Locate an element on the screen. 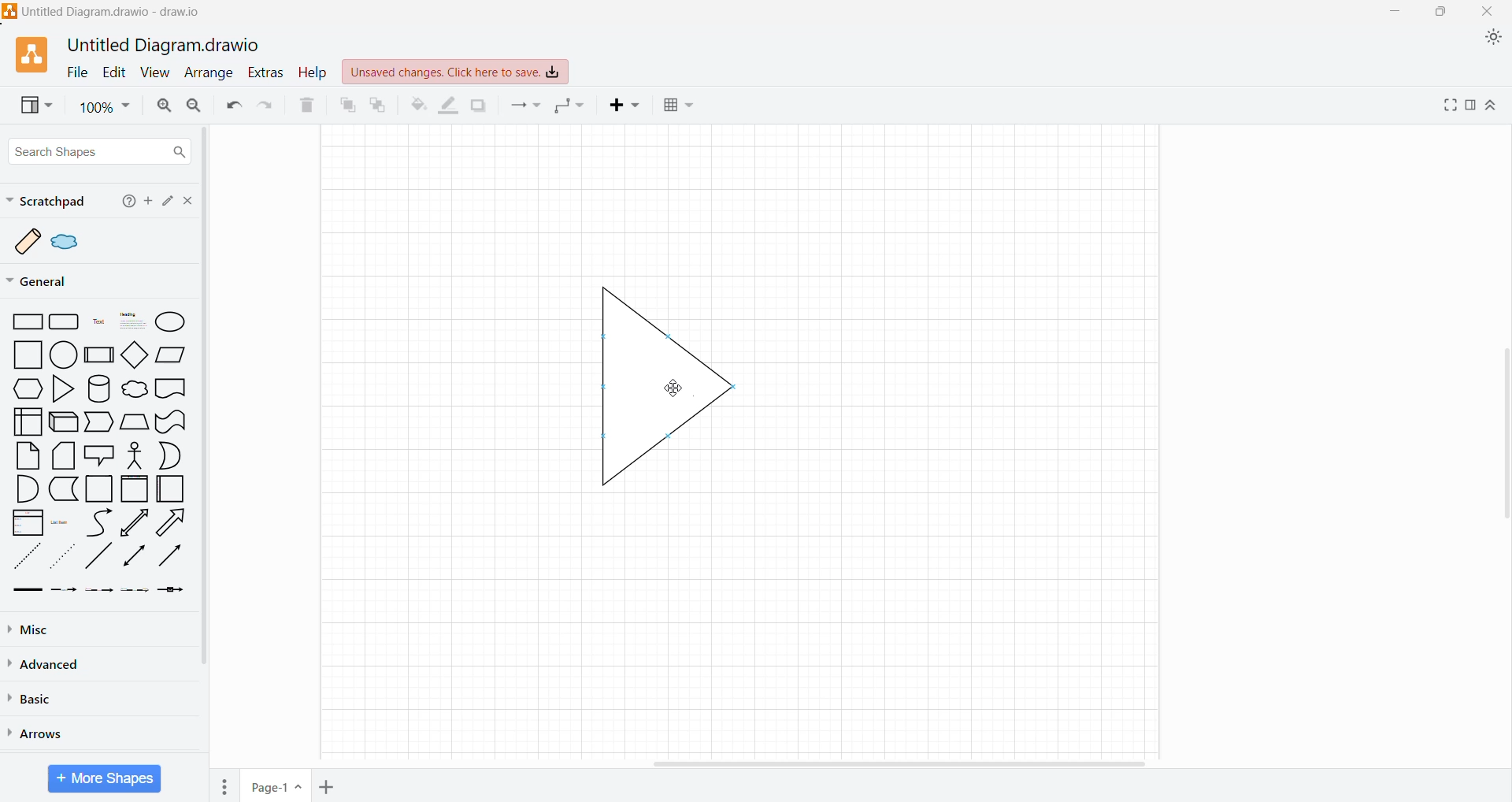 This screenshot has height=802, width=1512. 100% is located at coordinates (104, 108).